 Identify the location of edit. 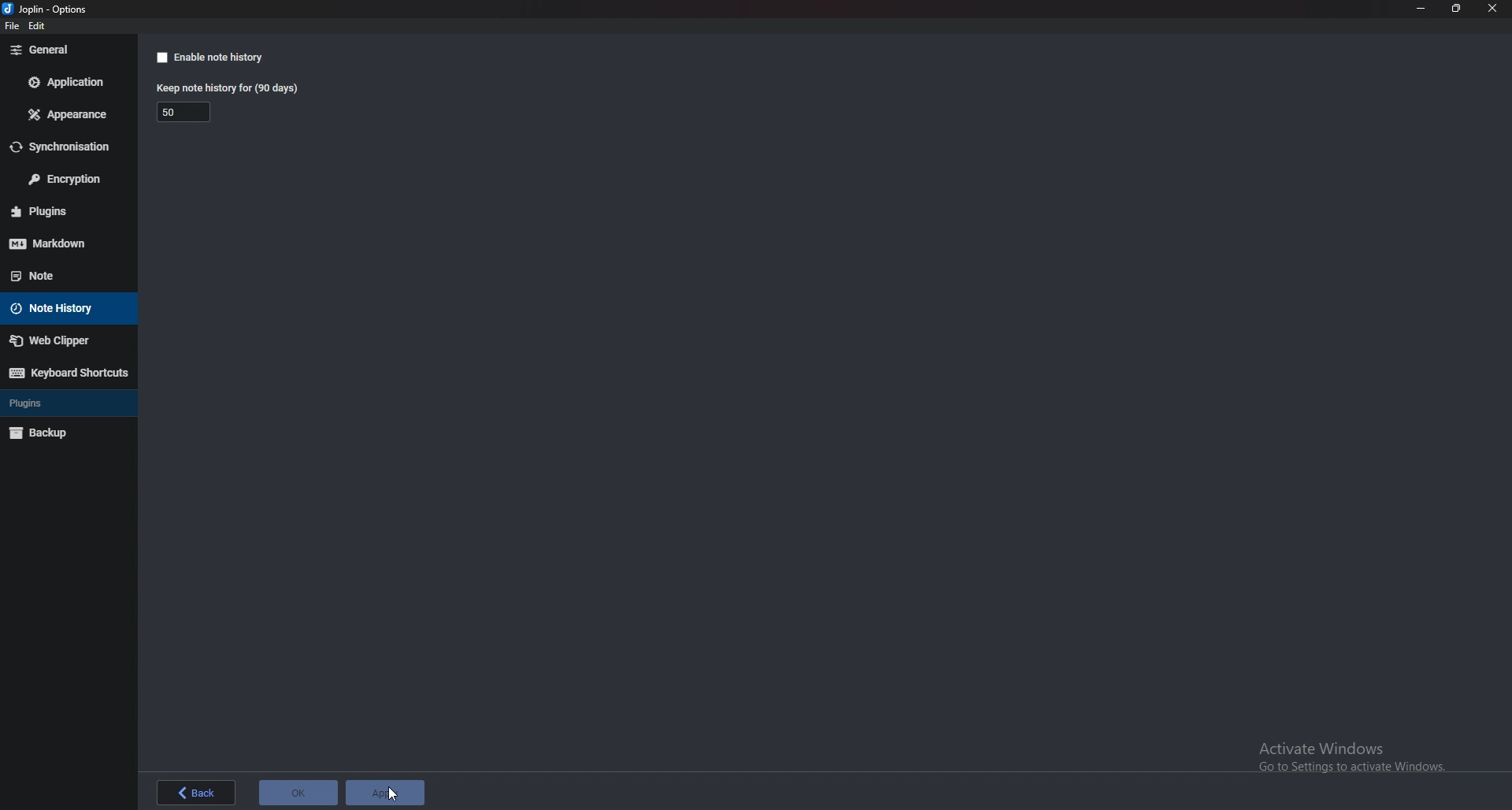
(39, 26).